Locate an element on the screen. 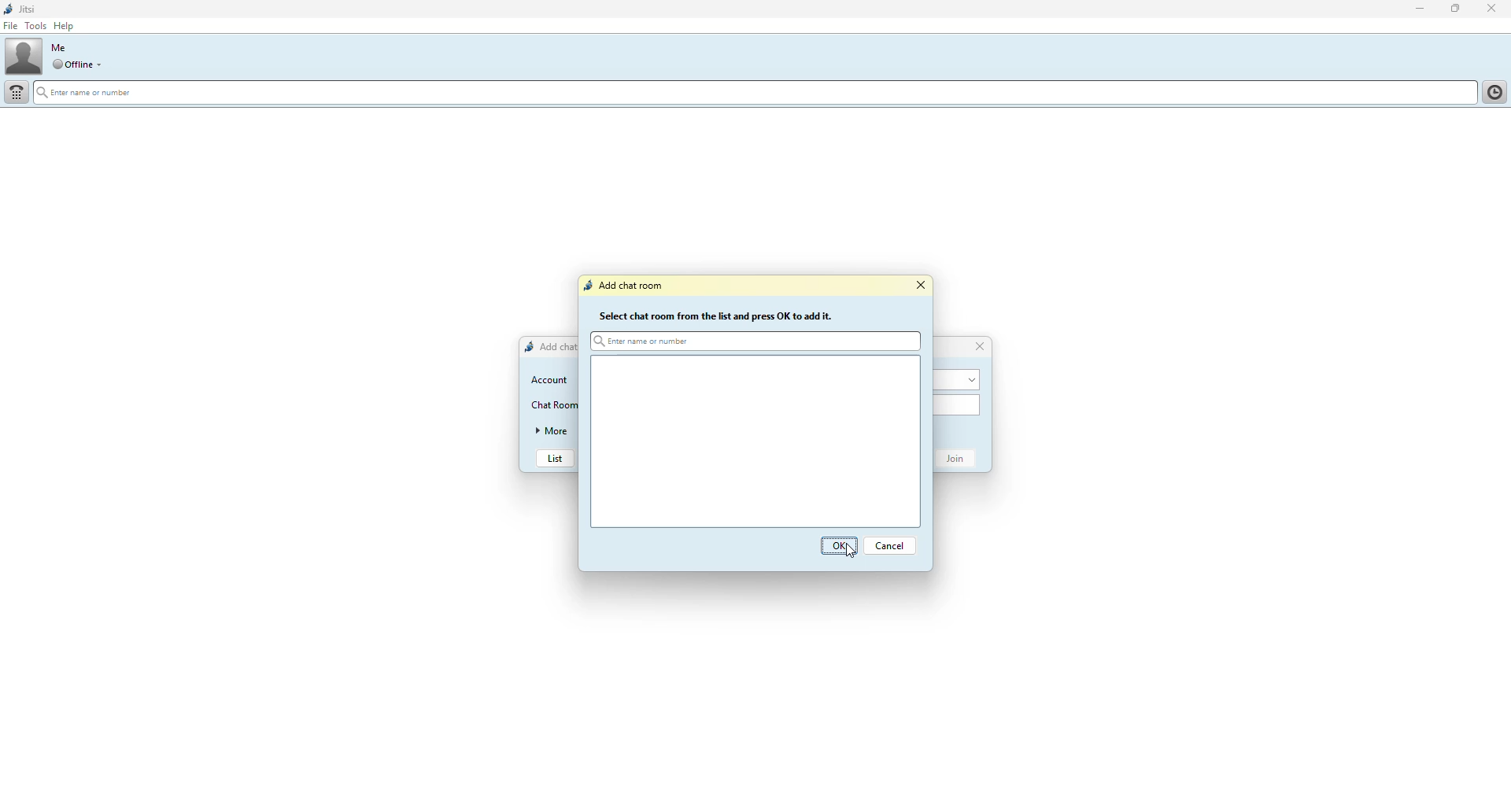 The height and width of the screenshot is (812, 1511). jitsi is located at coordinates (21, 9).